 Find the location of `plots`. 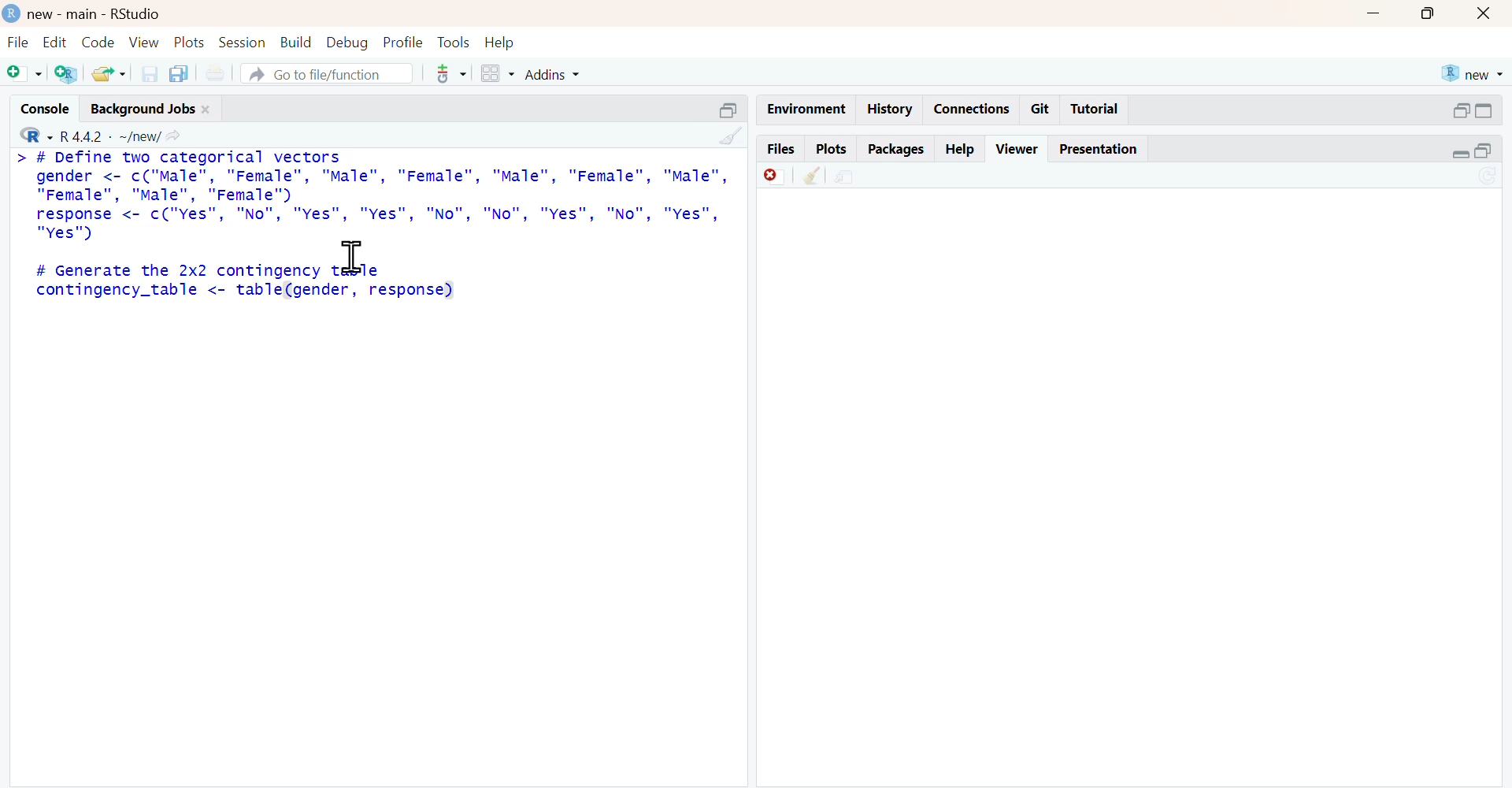

plots is located at coordinates (191, 42).